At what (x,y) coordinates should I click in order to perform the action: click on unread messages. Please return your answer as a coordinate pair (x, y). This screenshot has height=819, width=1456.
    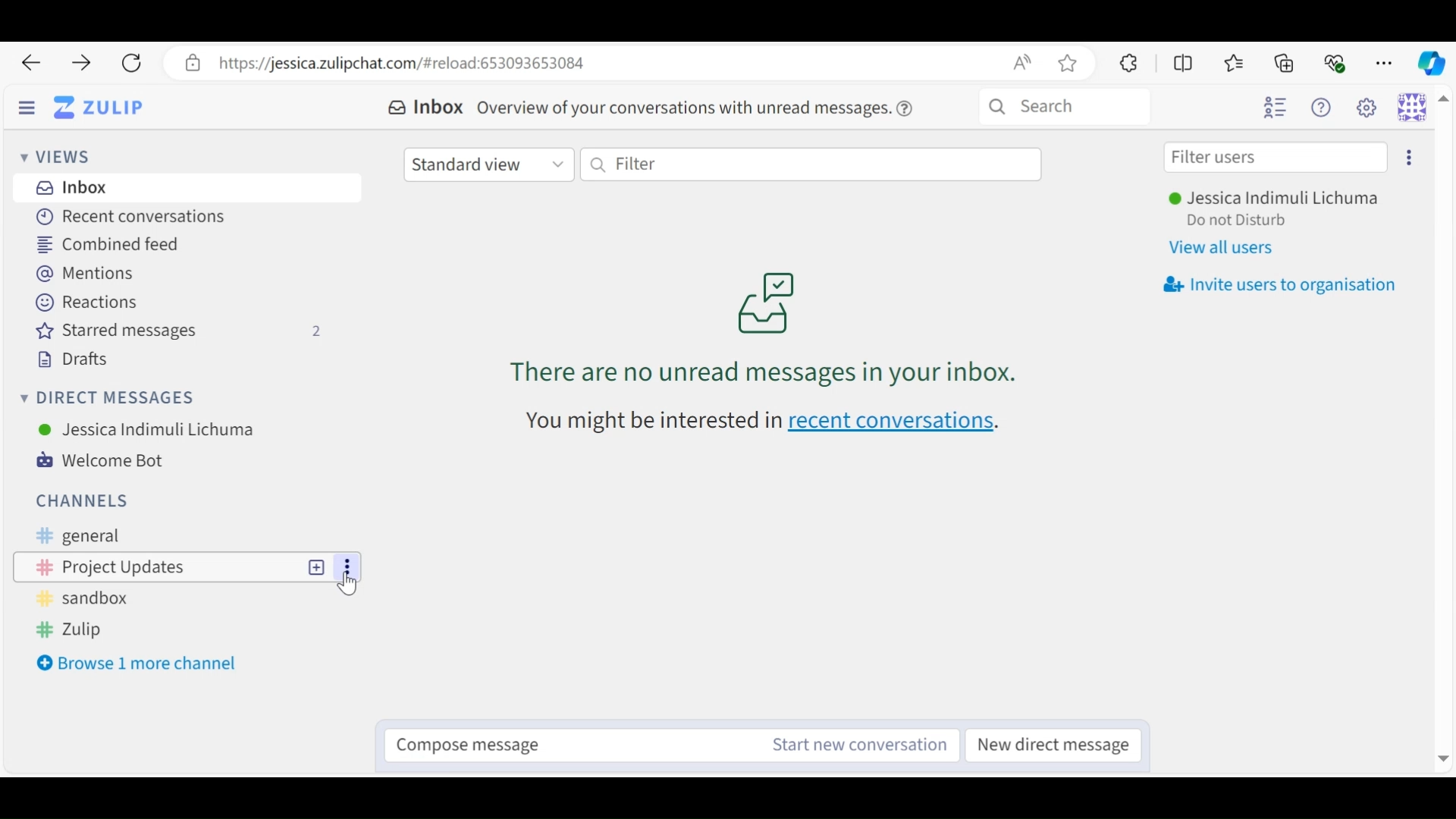
    Looking at the image, I should click on (761, 328).